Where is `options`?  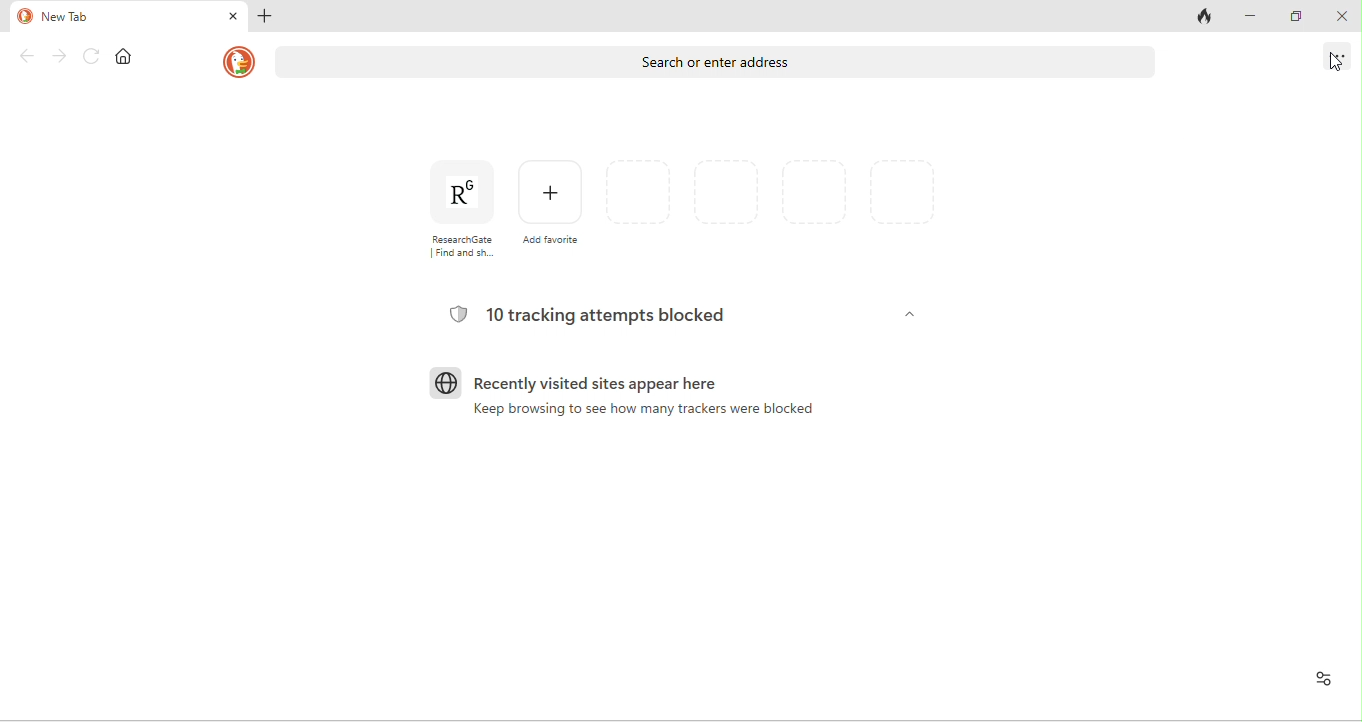 options is located at coordinates (1336, 61).